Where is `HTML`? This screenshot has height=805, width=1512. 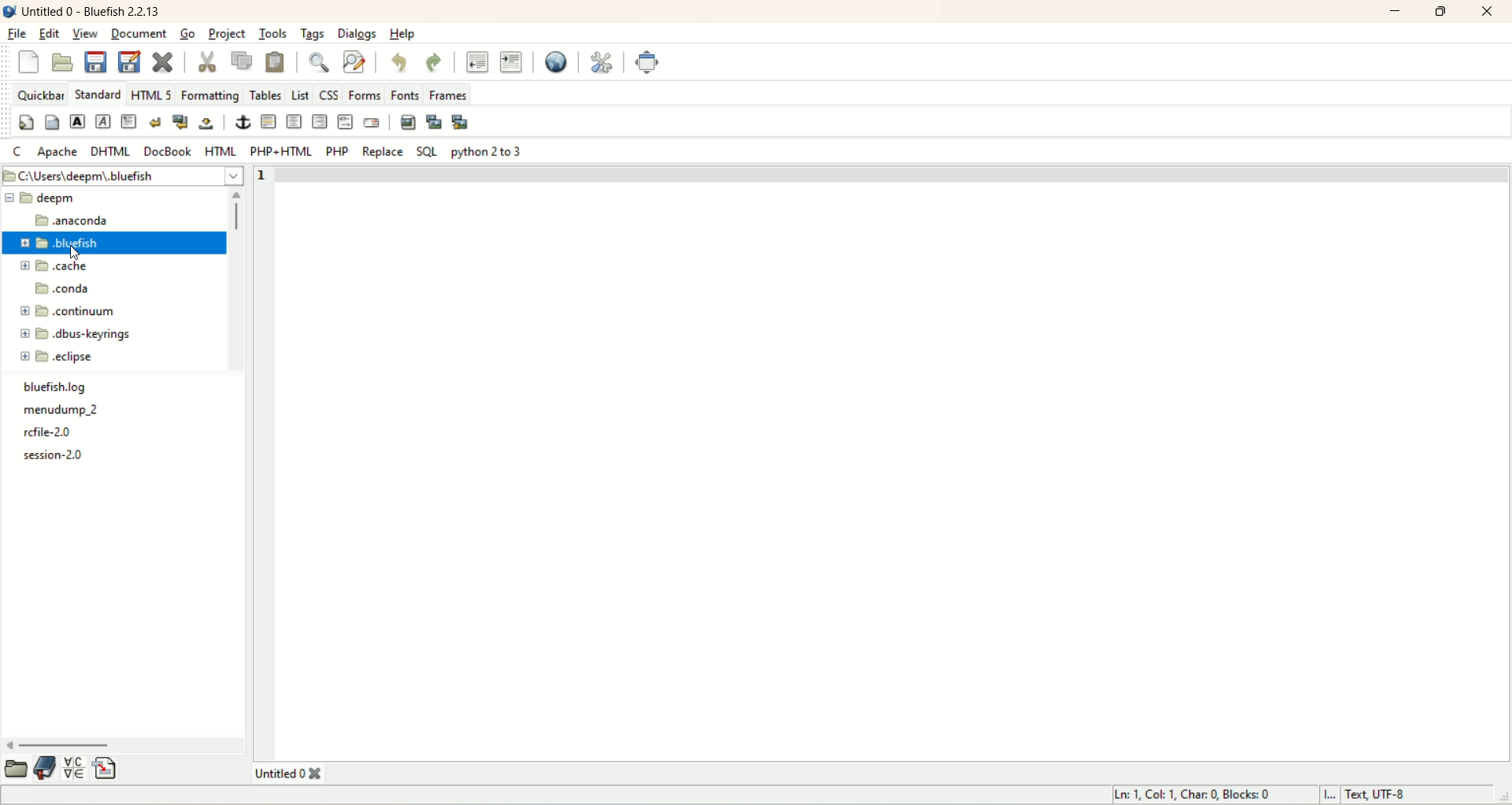 HTML is located at coordinates (220, 151).